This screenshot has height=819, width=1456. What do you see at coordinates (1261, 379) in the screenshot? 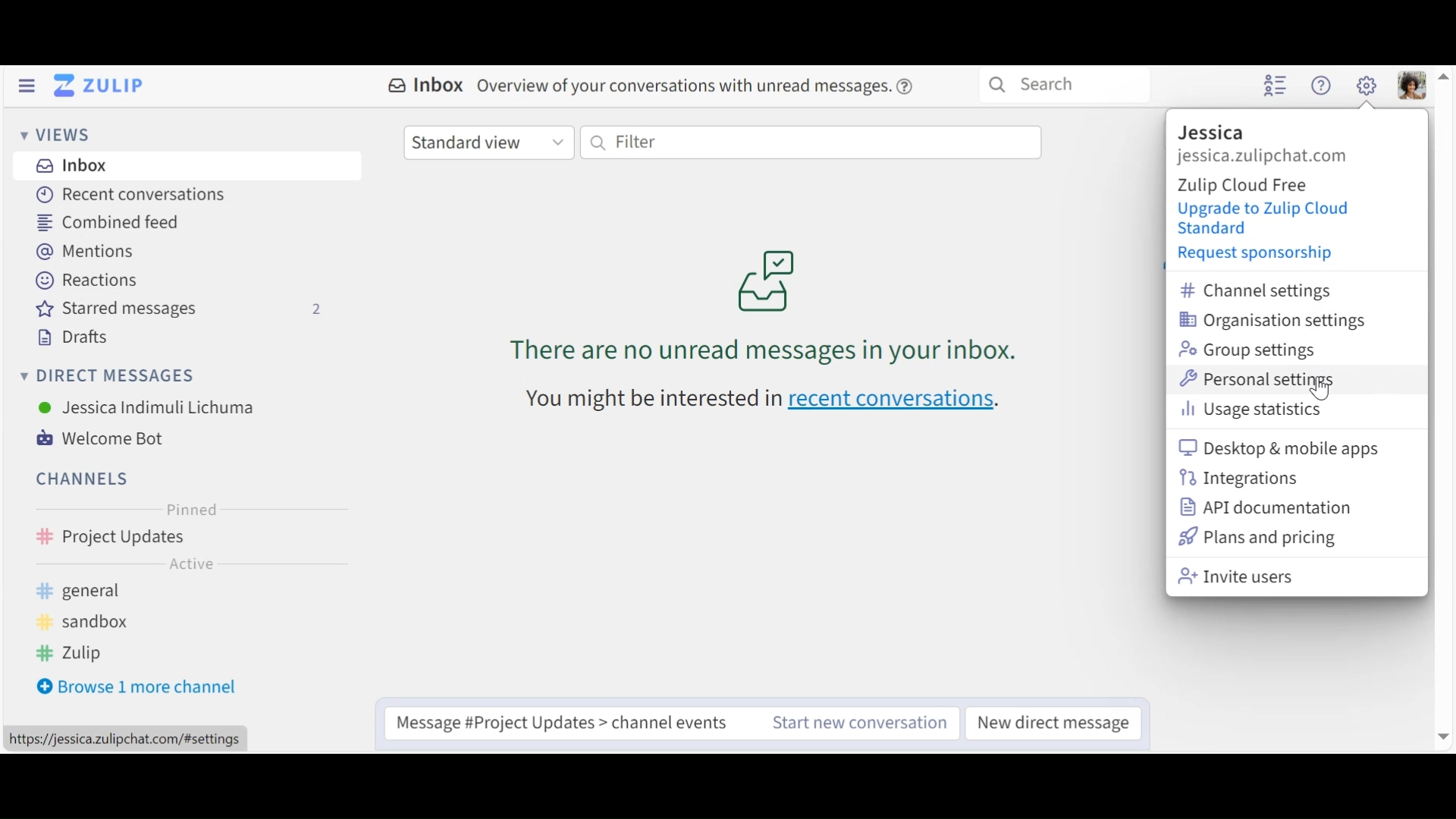
I see `Personal Settings` at bounding box center [1261, 379].